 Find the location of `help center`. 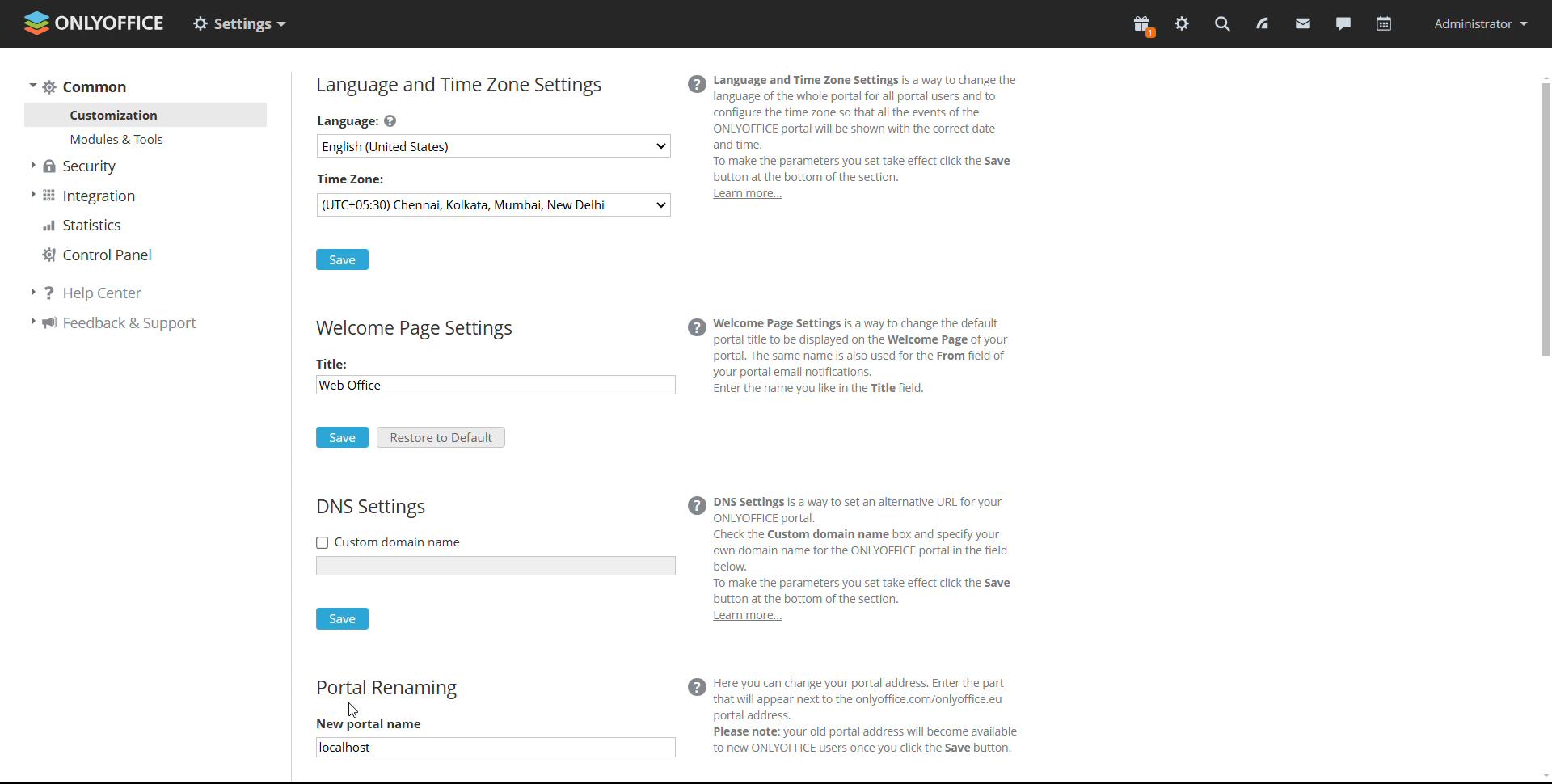

help center is located at coordinates (112, 289).